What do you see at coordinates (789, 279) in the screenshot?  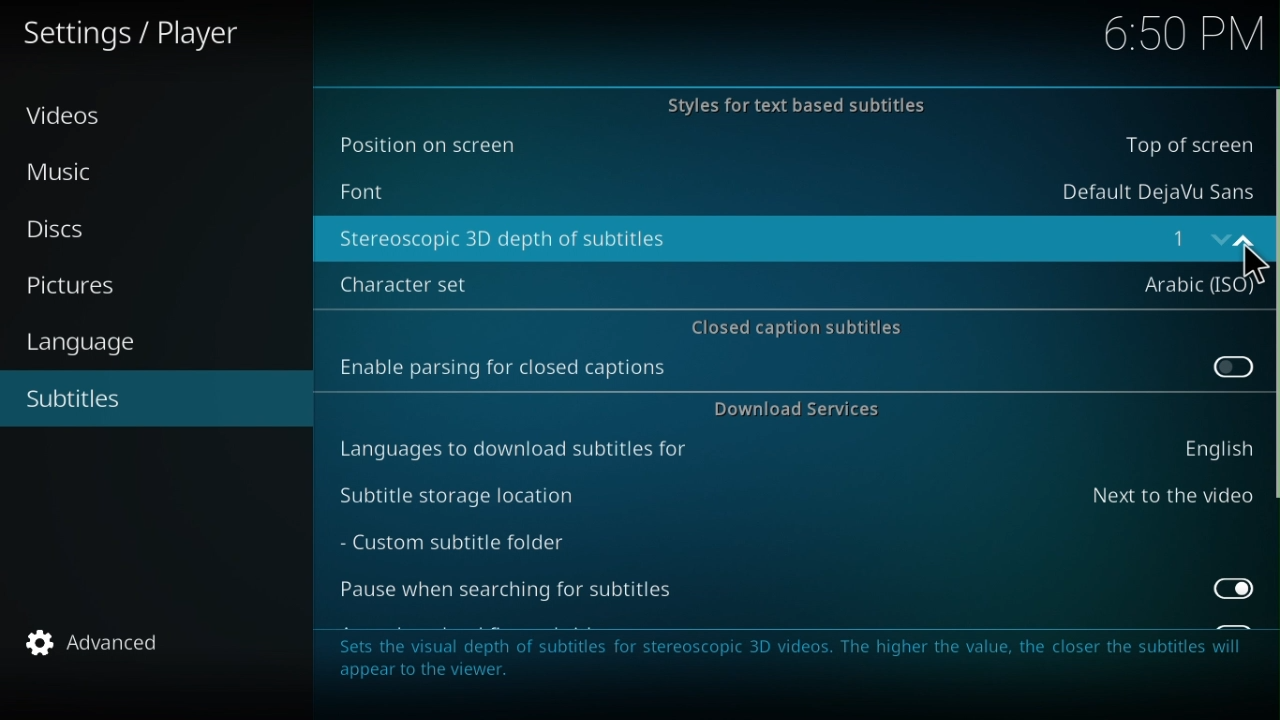 I see `Character set` at bounding box center [789, 279].